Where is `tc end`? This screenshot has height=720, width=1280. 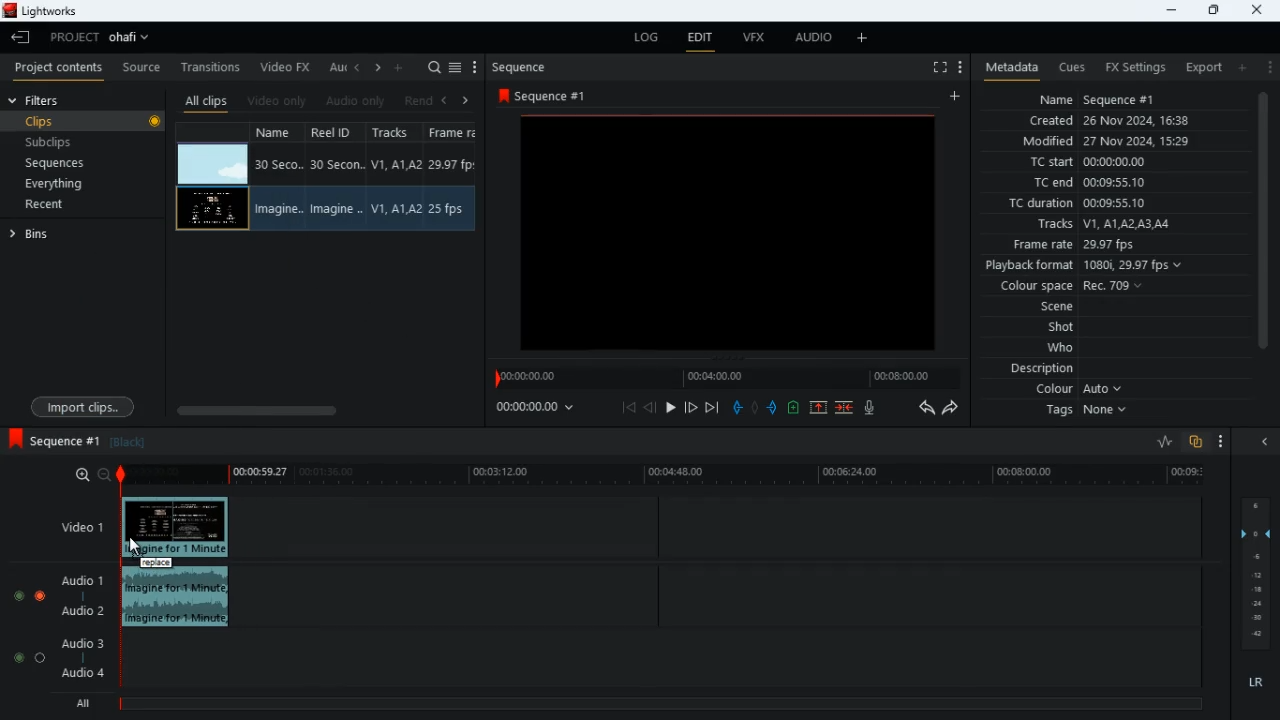 tc end is located at coordinates (1082, 183).